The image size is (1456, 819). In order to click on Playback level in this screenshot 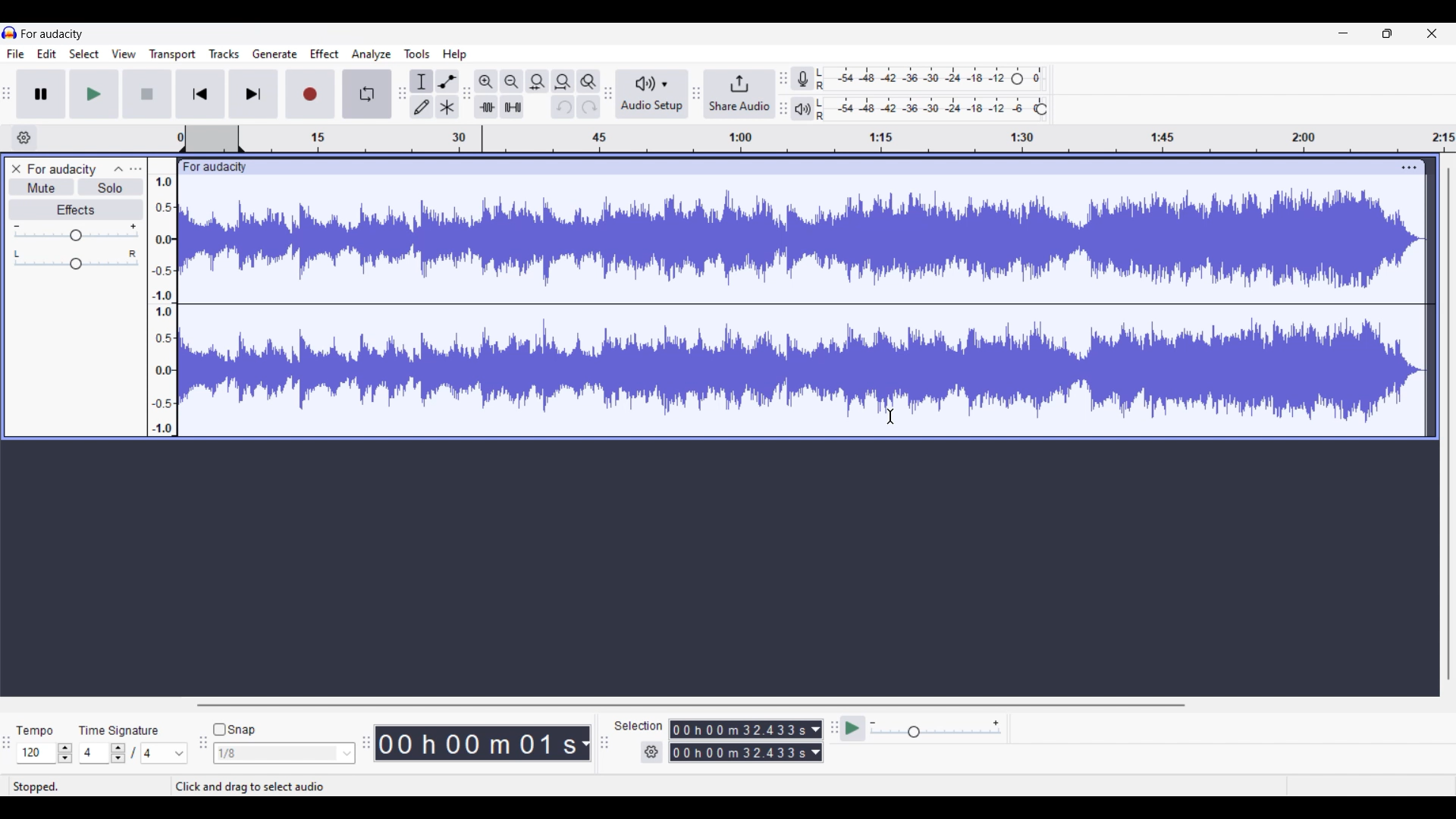, I will do `click(924, 109)`.